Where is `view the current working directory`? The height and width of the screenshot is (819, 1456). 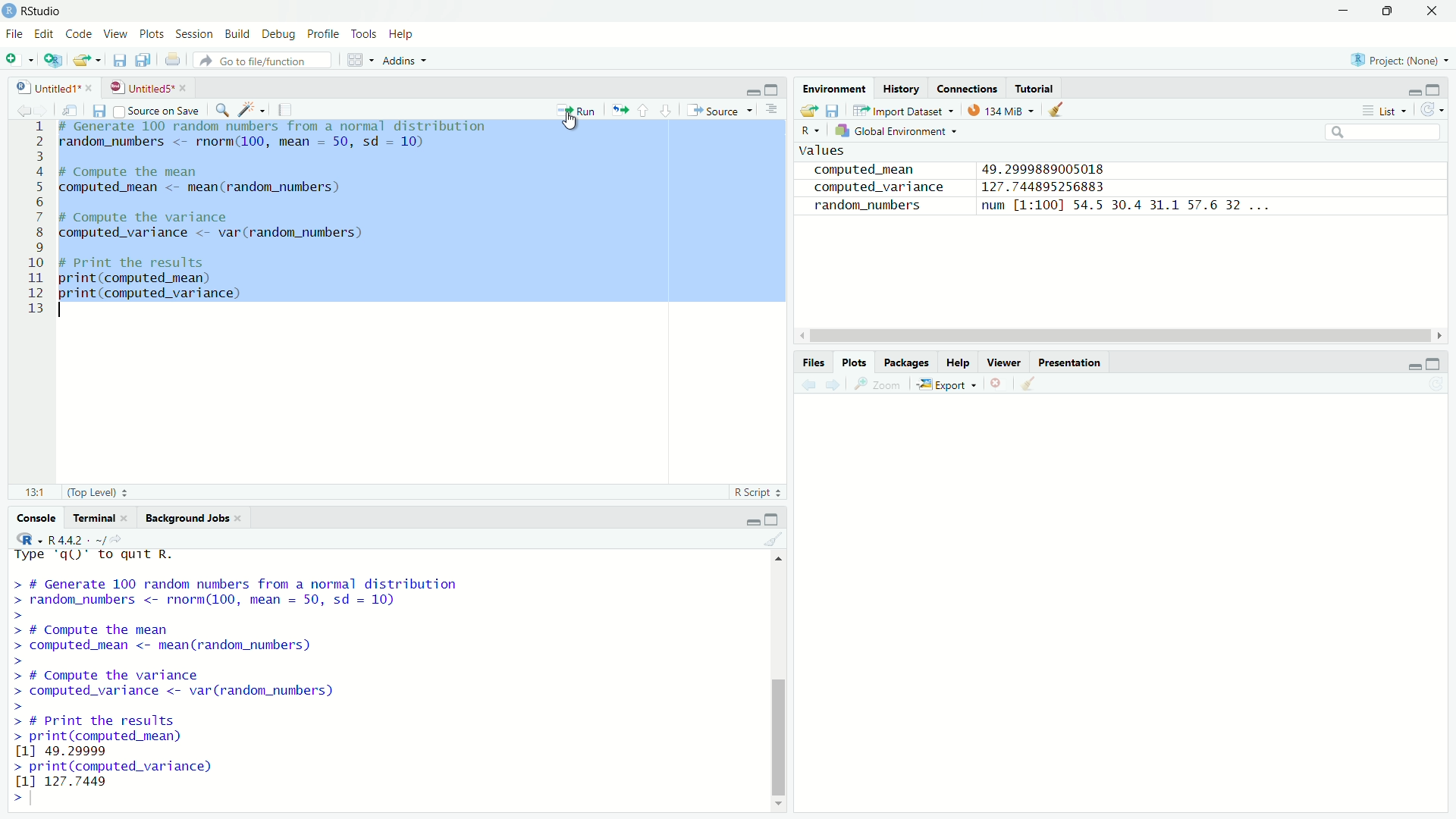
view the current working directory is located at coordinates (125, 539).